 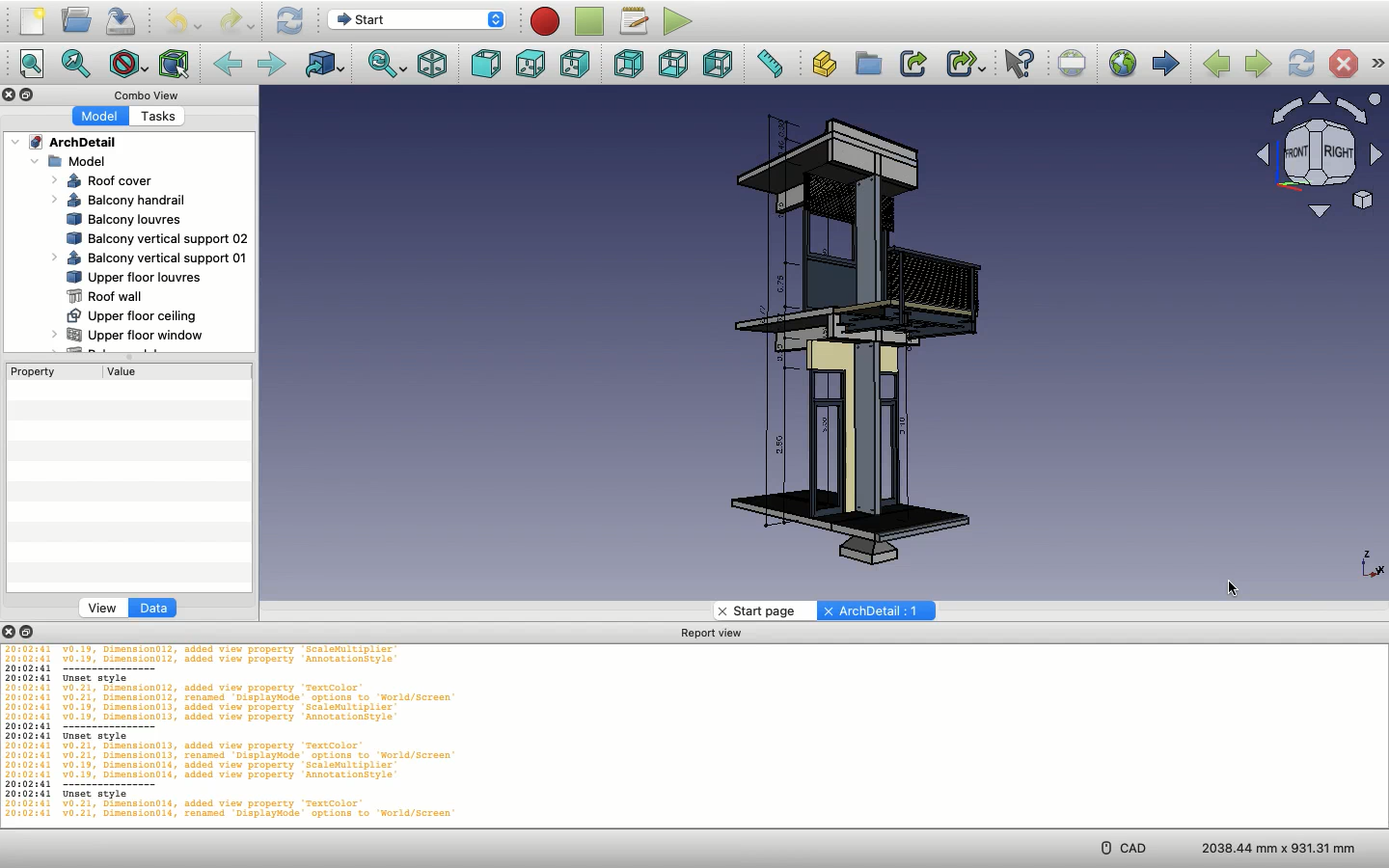 What do you see at coordinates (702, 633) in the screenshot?
I see `Report view` at bounding box center [702, 633].